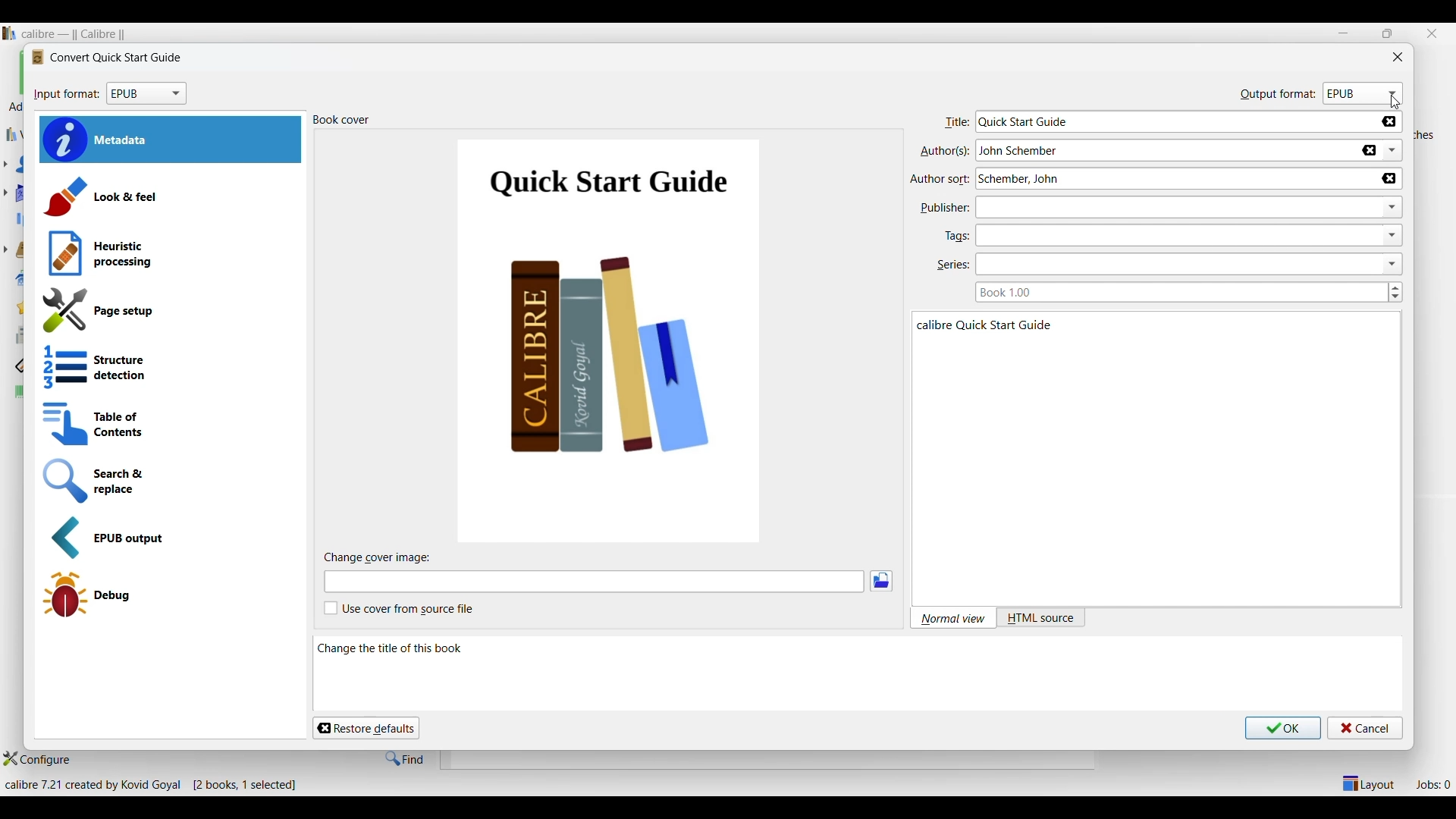  I want to click on series, so click(952, 267).